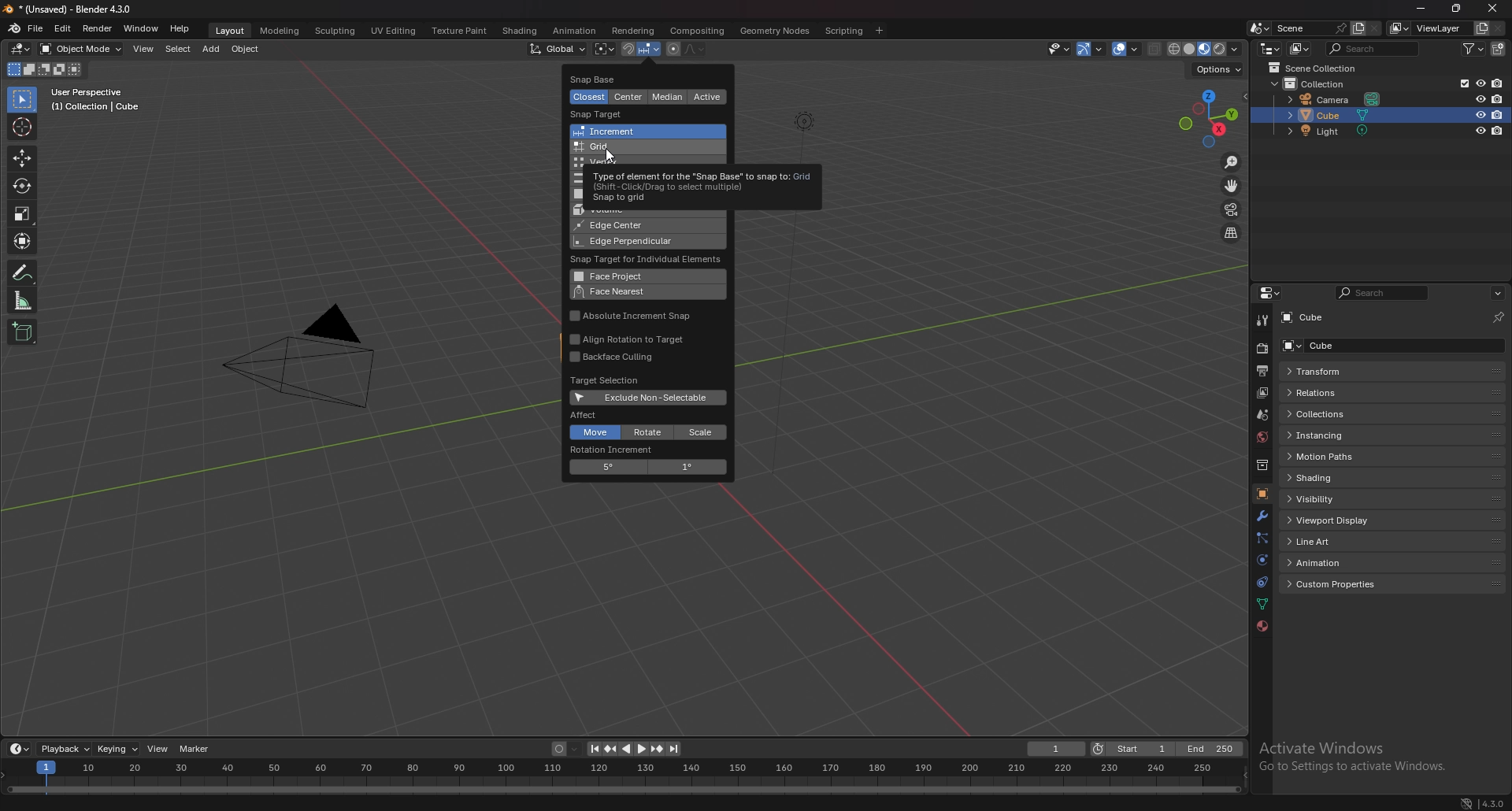  Describe the element at coordinates (606, 468) in the screenshot. I see `5 degree` at that location.